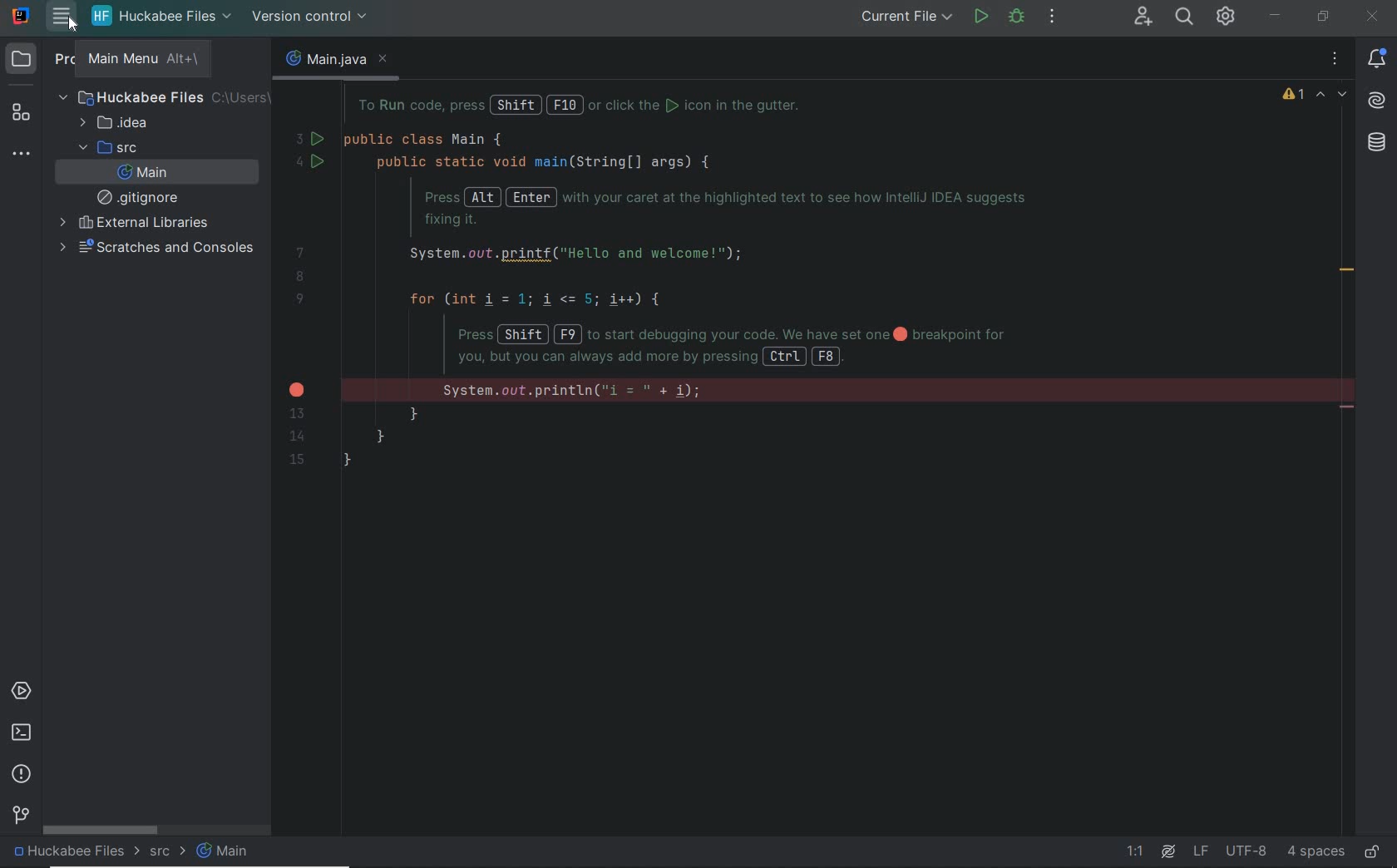 This screenshot has width=1397, height=868. I want to click on codes, so click(732, 279).